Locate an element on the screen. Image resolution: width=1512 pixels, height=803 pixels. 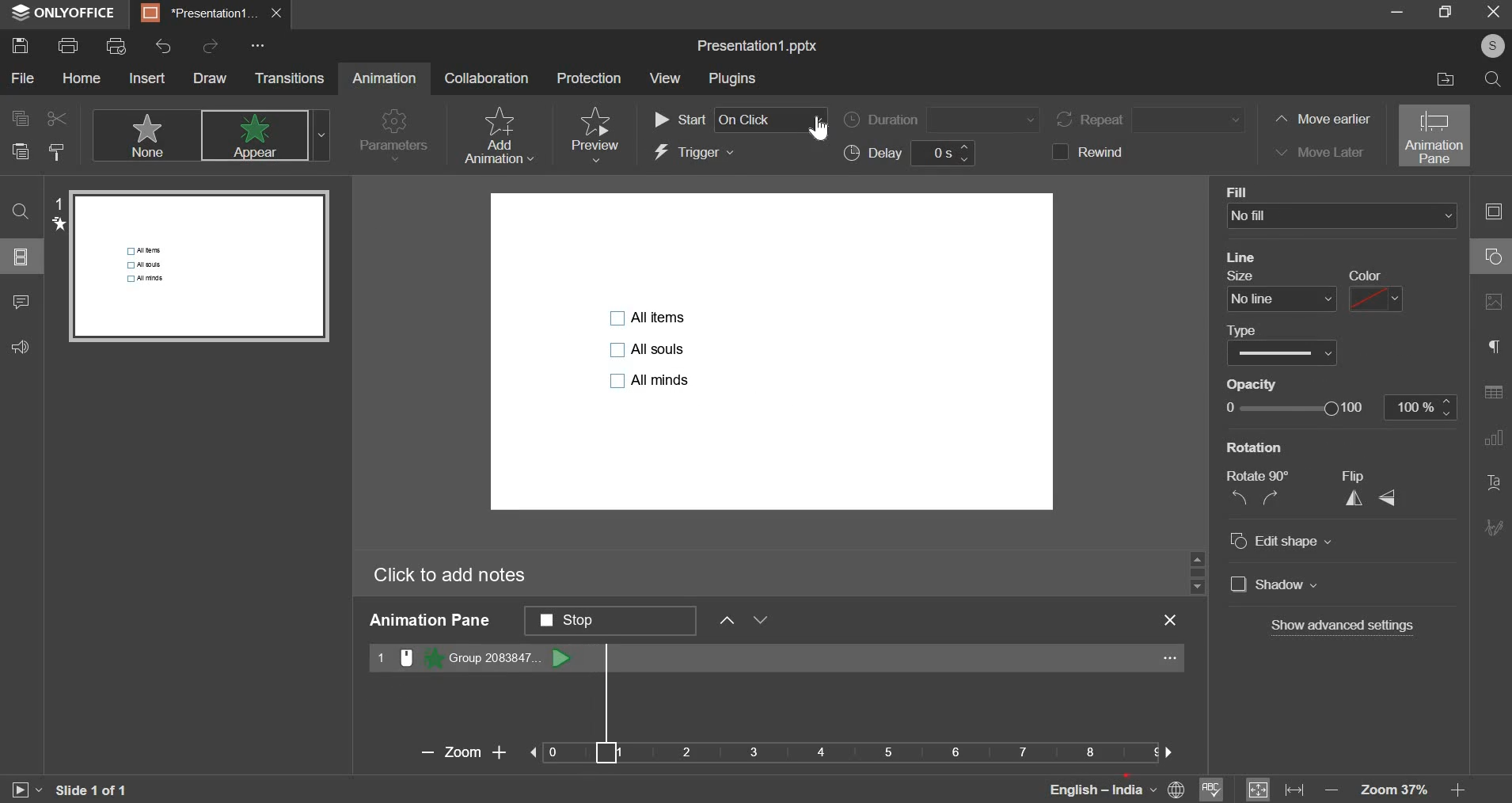
plugins is located at coordinates (731, 79).